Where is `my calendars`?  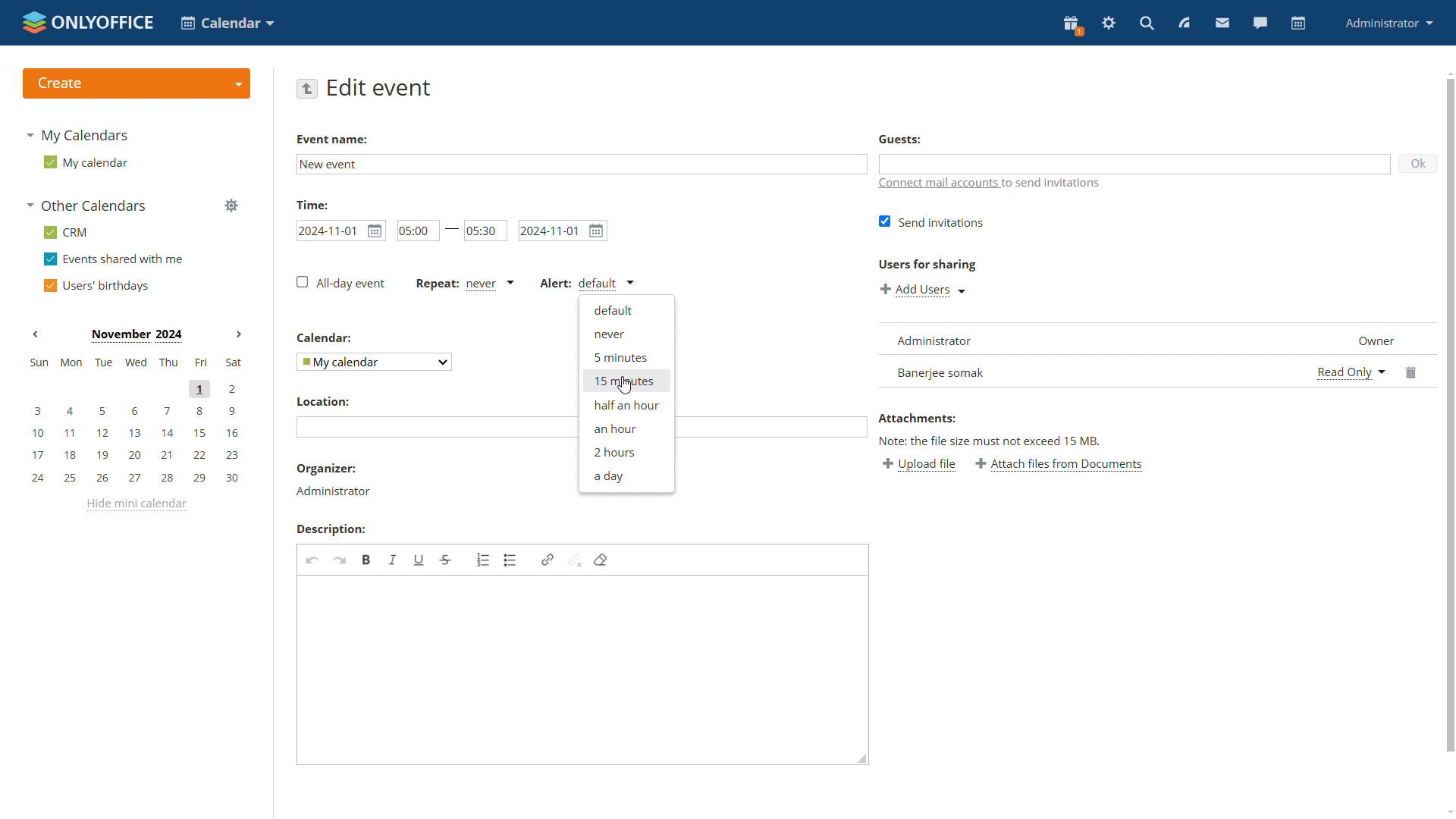
my calendars is located at coordinates (79, 135).